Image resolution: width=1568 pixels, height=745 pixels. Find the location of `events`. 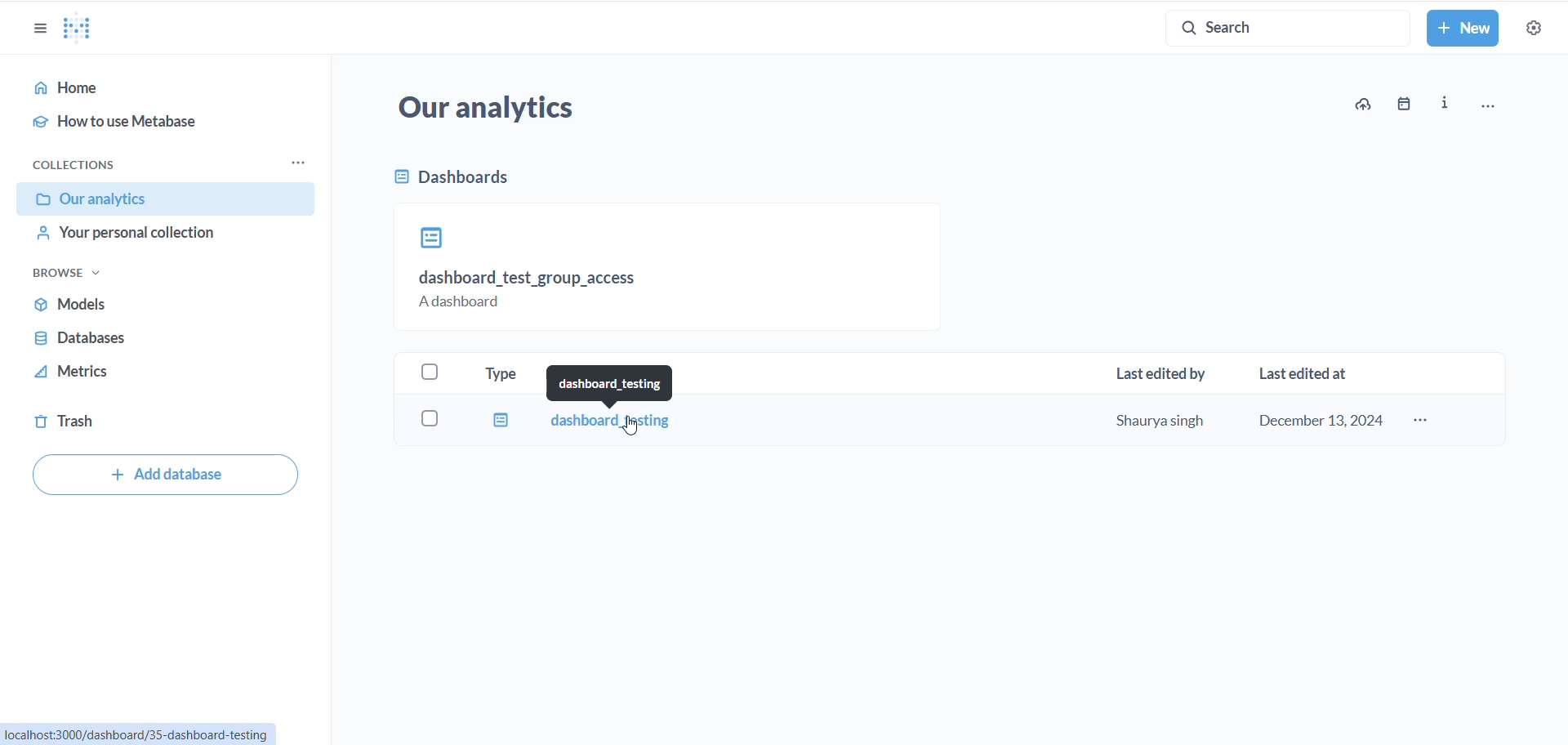

events is located at coordinates (1405, 105).